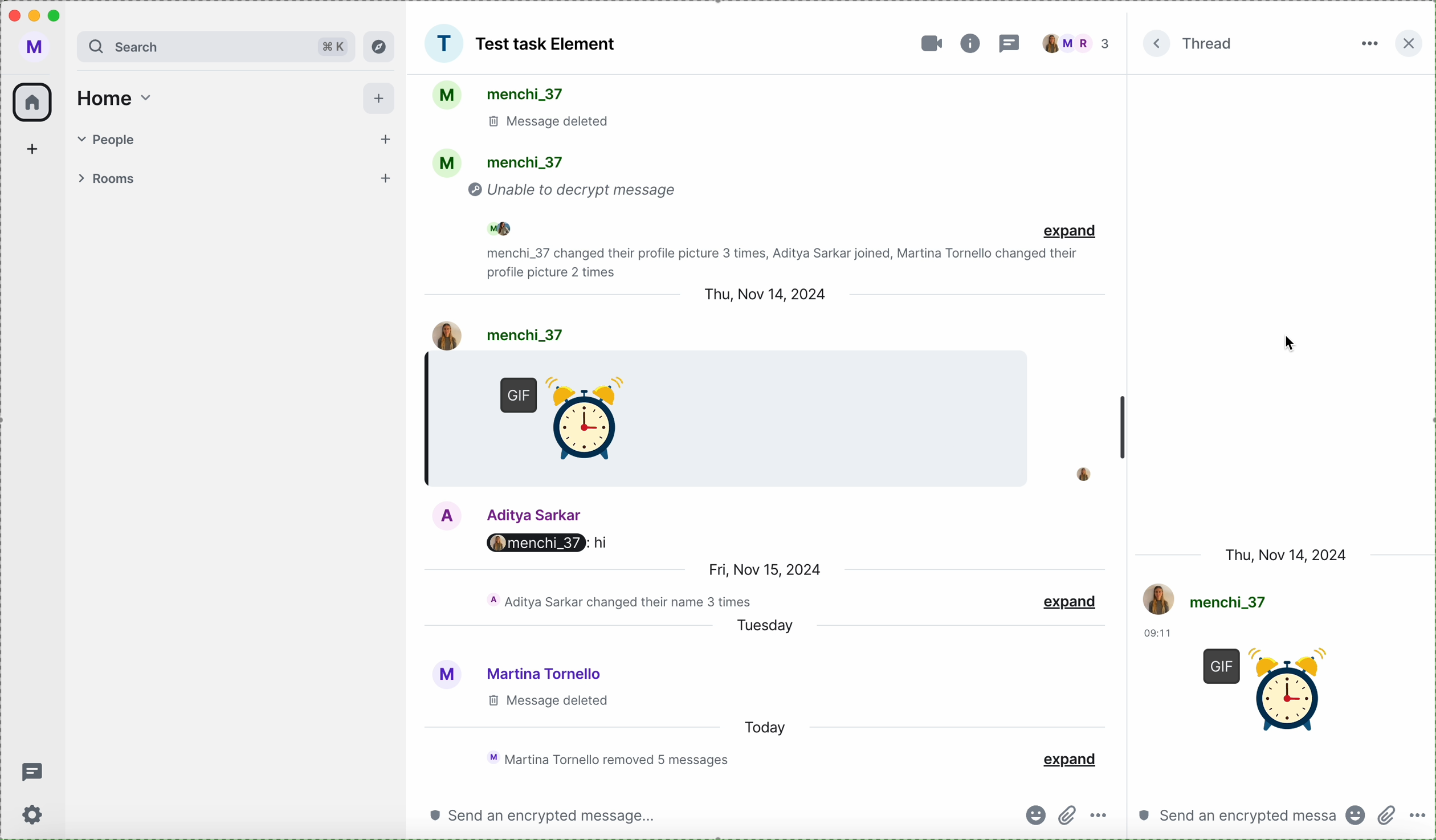  What do you see at coordinates (380, 99) in the screenshot?
I see `add` at bounding box center [380, 99].